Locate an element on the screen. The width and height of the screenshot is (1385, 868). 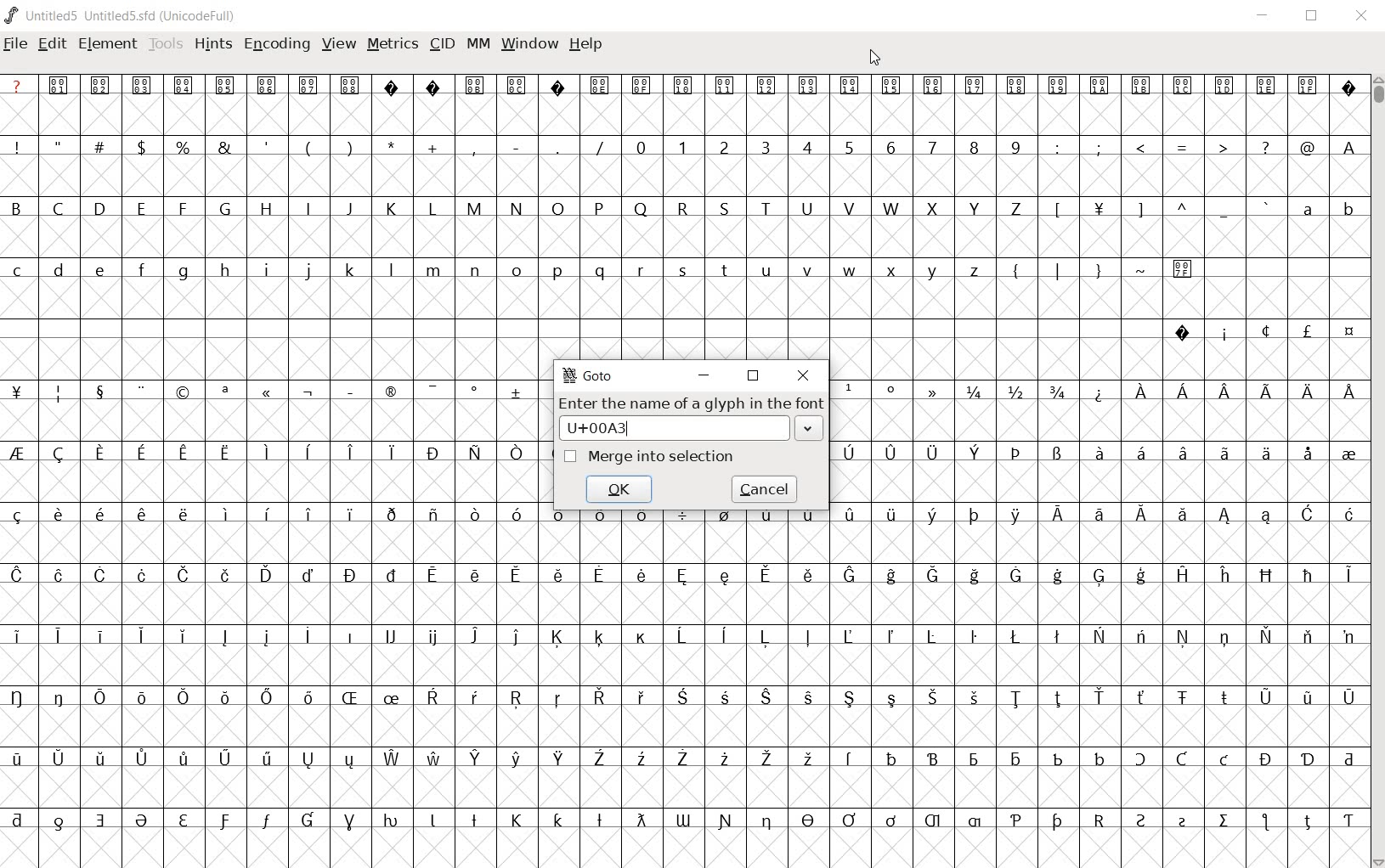
 is located at coordinates (933, 697).